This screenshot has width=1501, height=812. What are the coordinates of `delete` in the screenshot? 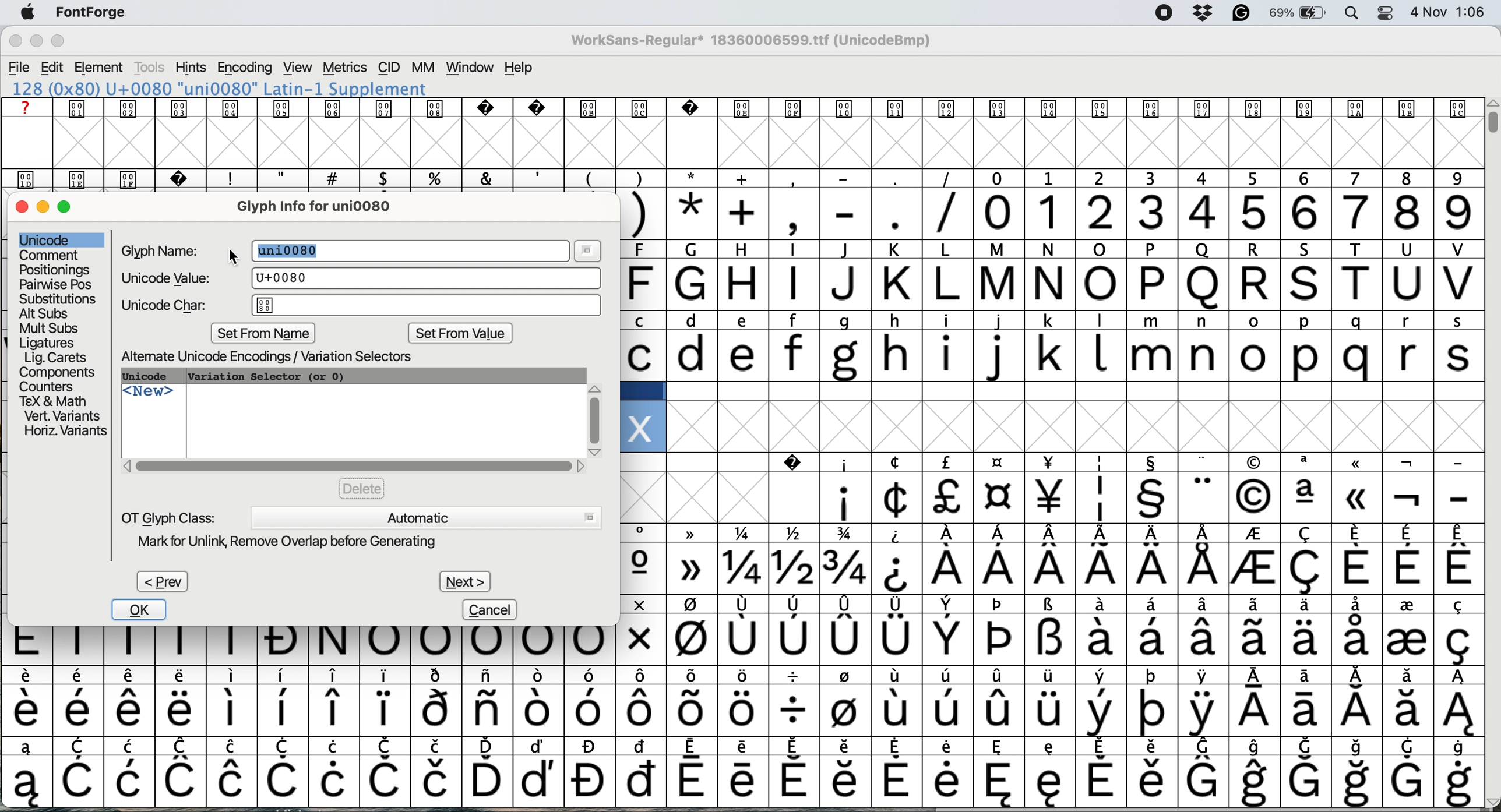 It's located at (362, 488).